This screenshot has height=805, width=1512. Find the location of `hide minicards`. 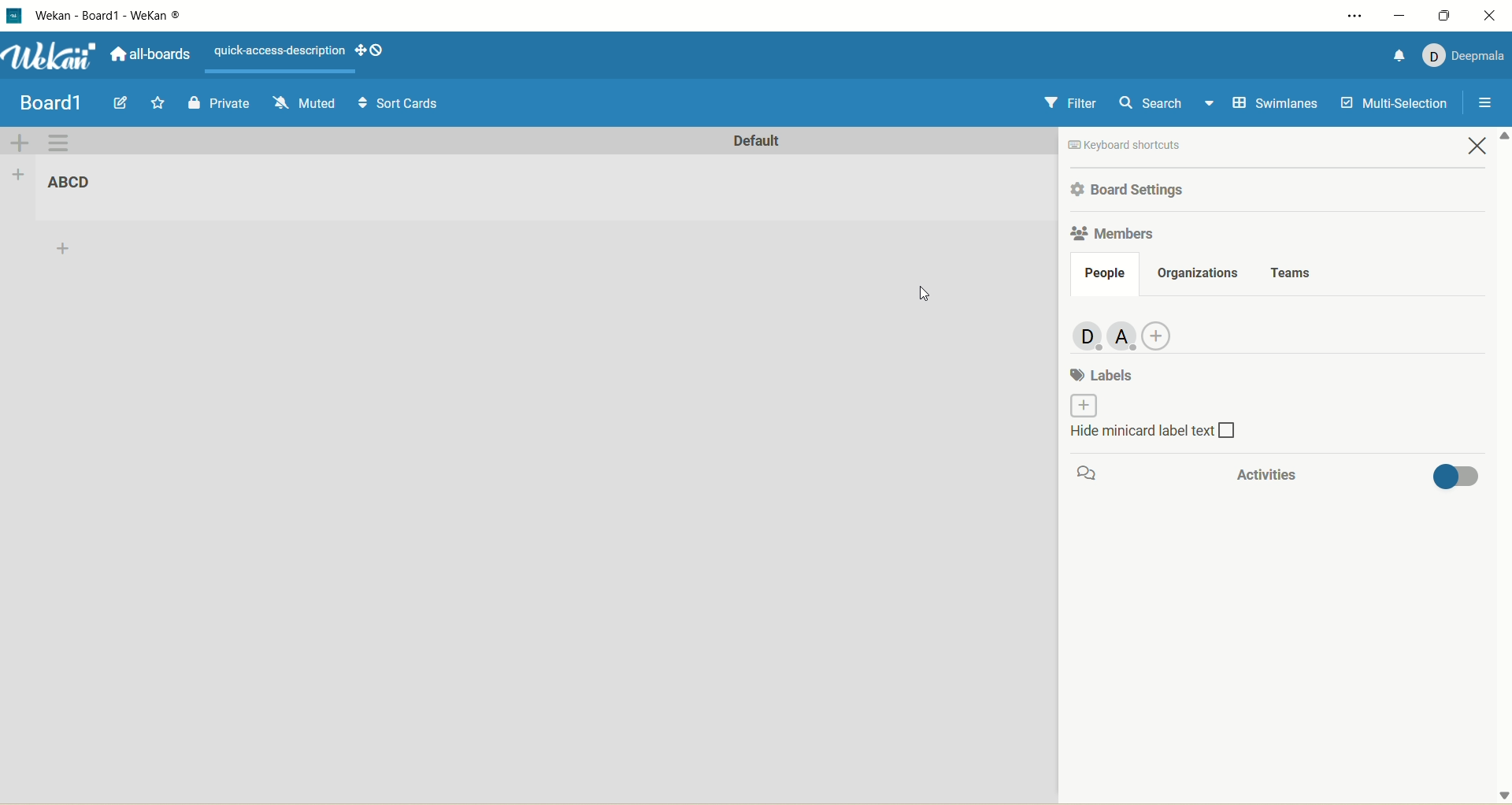

hide minicards is located at coordinates (1171, 436).